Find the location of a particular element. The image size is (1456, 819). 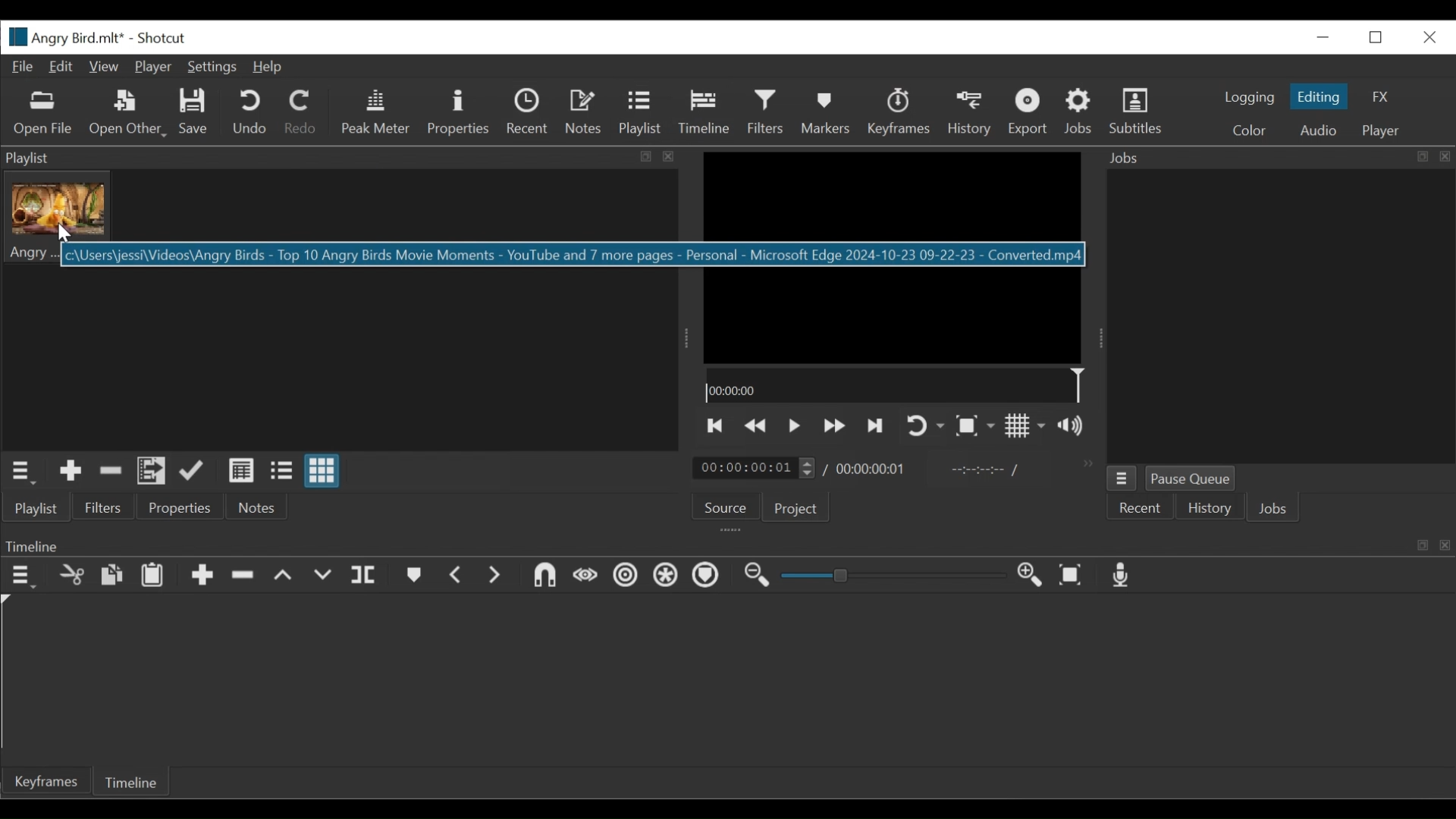

Open Other File is located at coordinates (45, 114).